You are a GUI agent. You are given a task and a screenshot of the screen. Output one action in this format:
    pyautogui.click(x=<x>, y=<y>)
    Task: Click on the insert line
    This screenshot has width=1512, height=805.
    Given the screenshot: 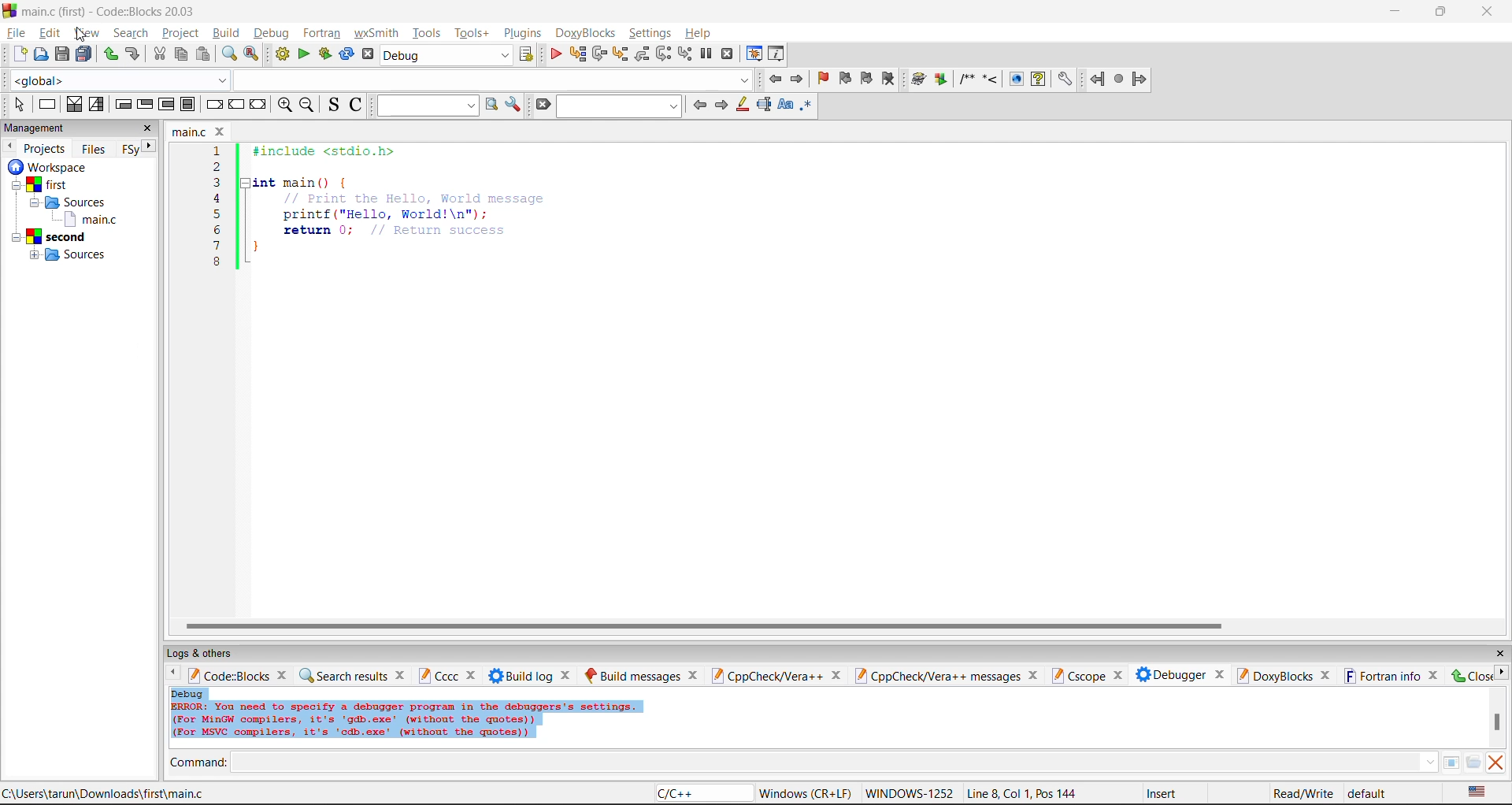 What is the action you would take?
    pyautogui.click(x=991, y=80)
    